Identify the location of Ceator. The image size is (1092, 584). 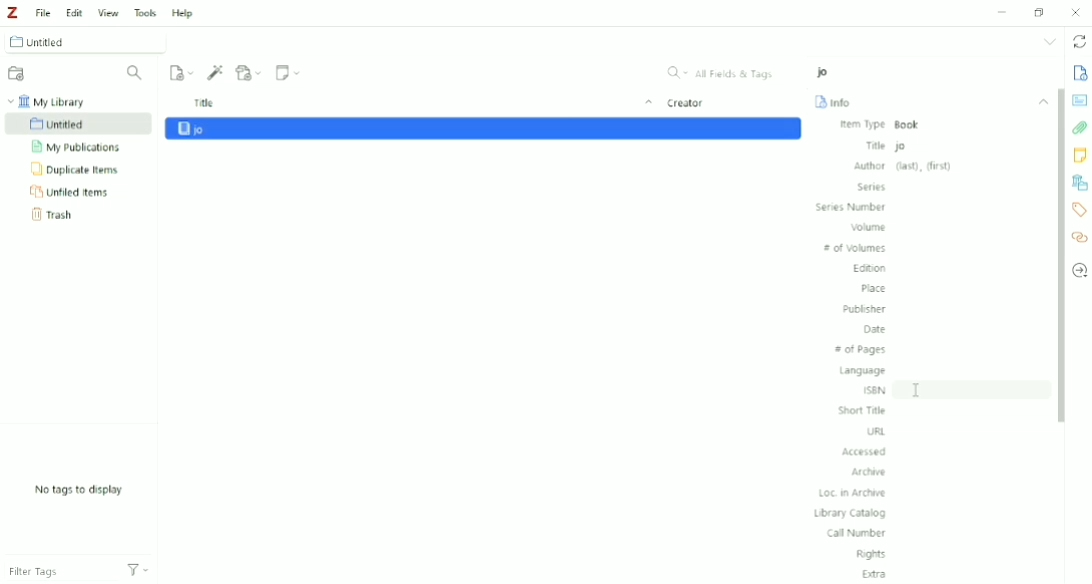
(689, 102).